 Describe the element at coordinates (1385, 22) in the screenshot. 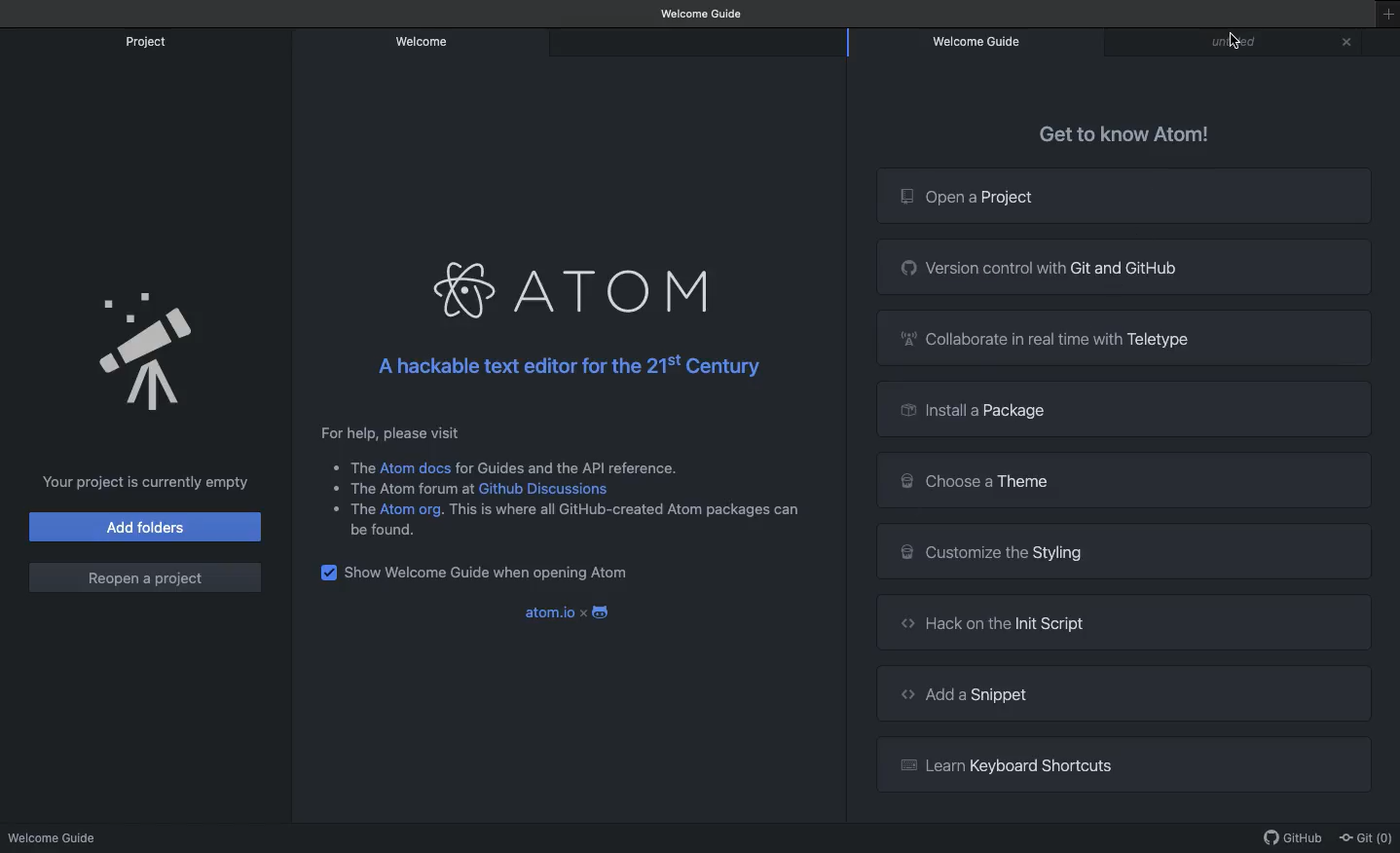

I see `New window` at that location.